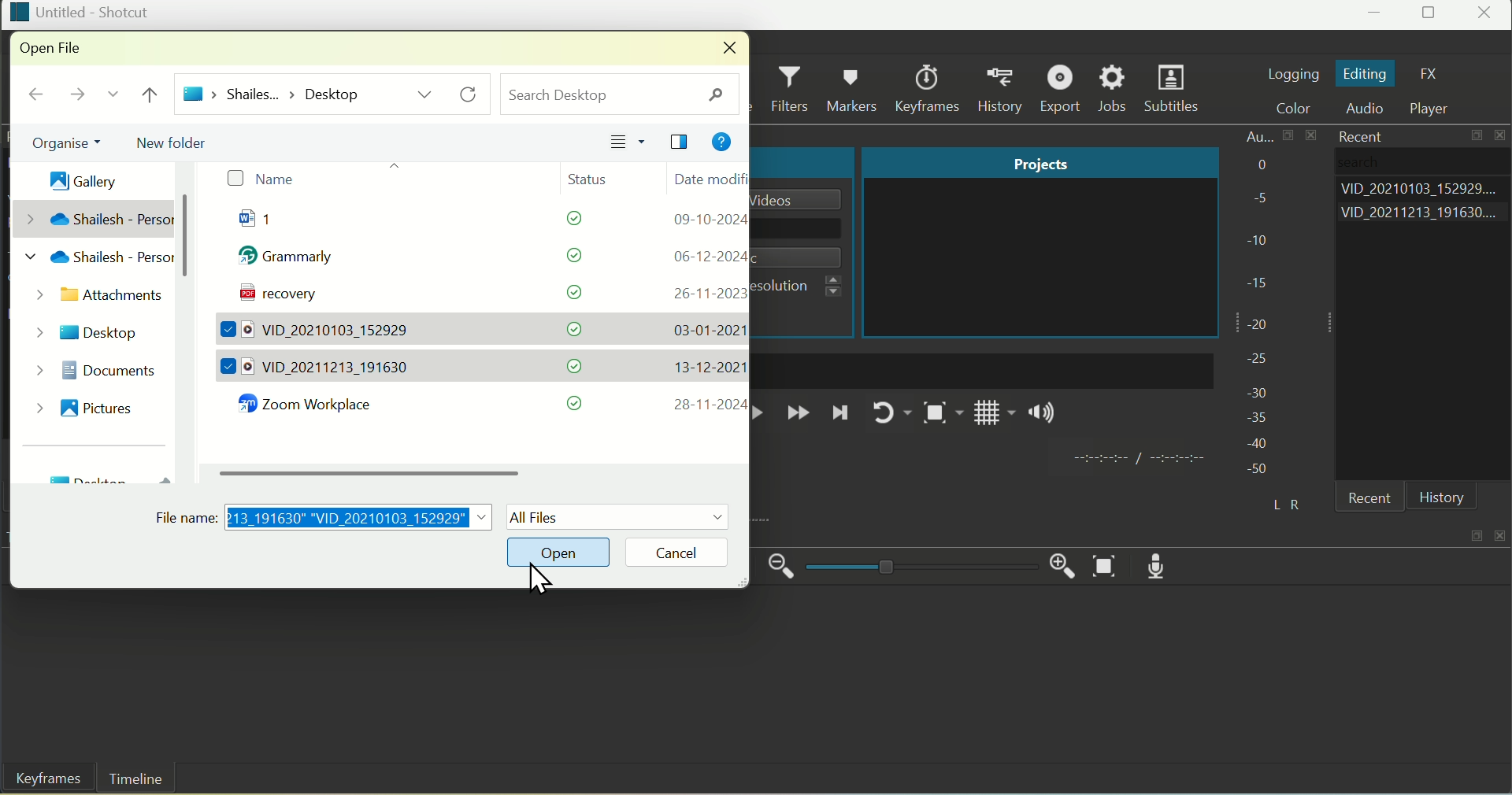 This screenshot has width=1512, height=795. I want to click on Logging, so click(1292, 72).